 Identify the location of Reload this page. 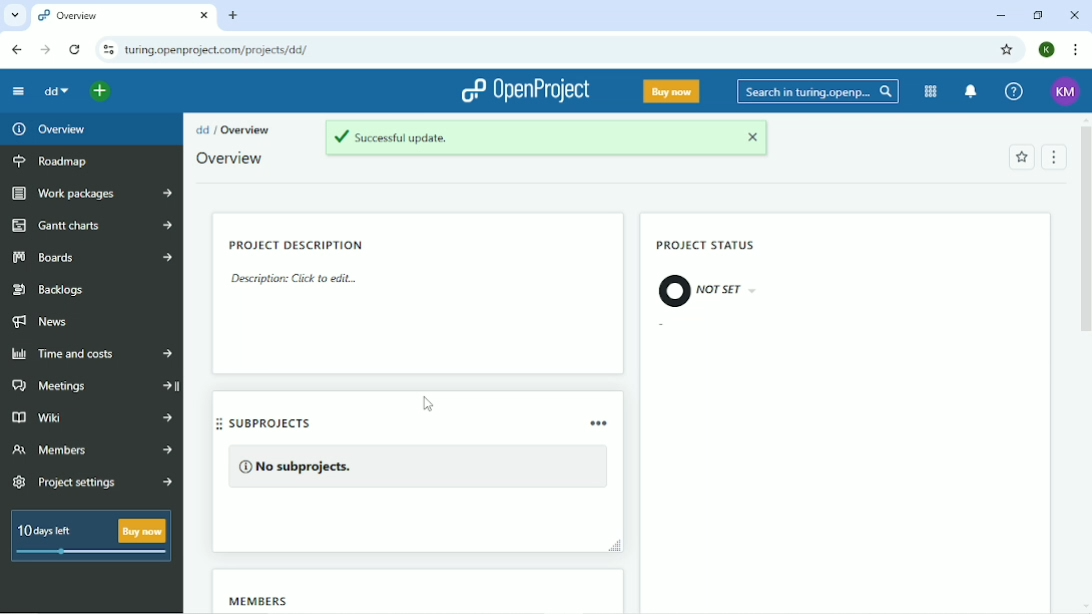
(77, 49).